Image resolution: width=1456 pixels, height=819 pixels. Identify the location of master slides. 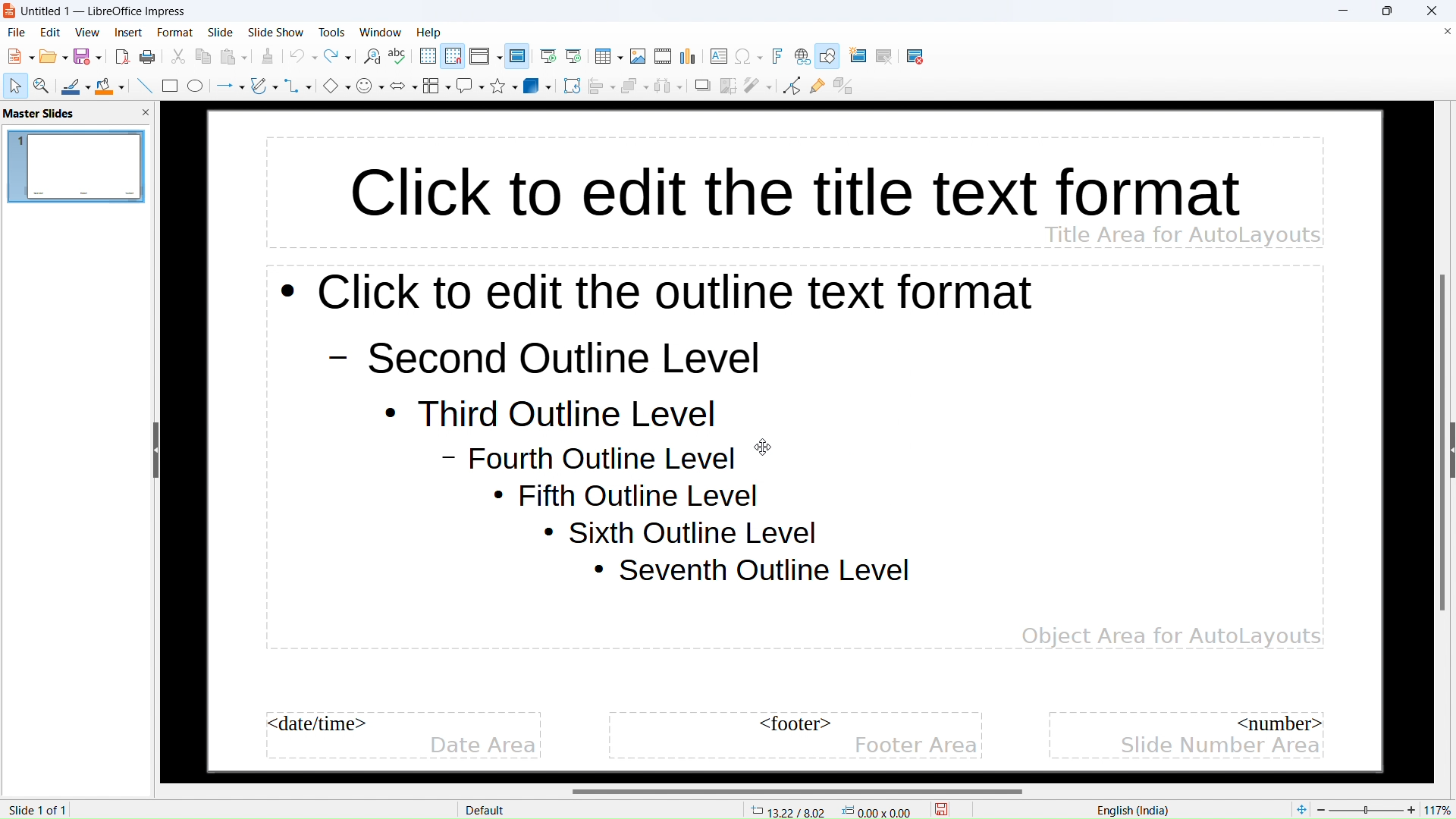
(39, 114).